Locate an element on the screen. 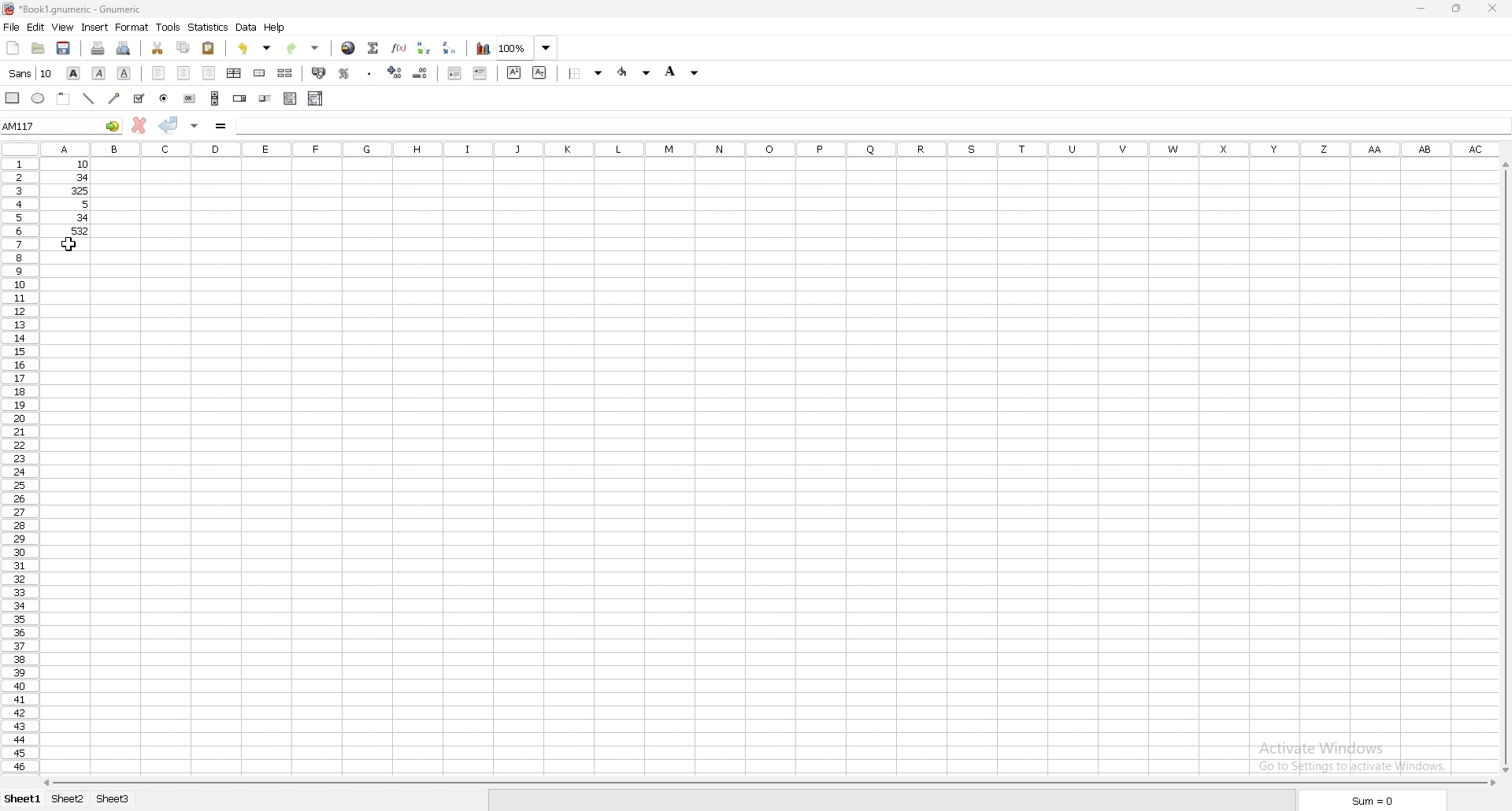 The height and width of the screenshot is (811, 1512). save is located at coordinates (65, 48).